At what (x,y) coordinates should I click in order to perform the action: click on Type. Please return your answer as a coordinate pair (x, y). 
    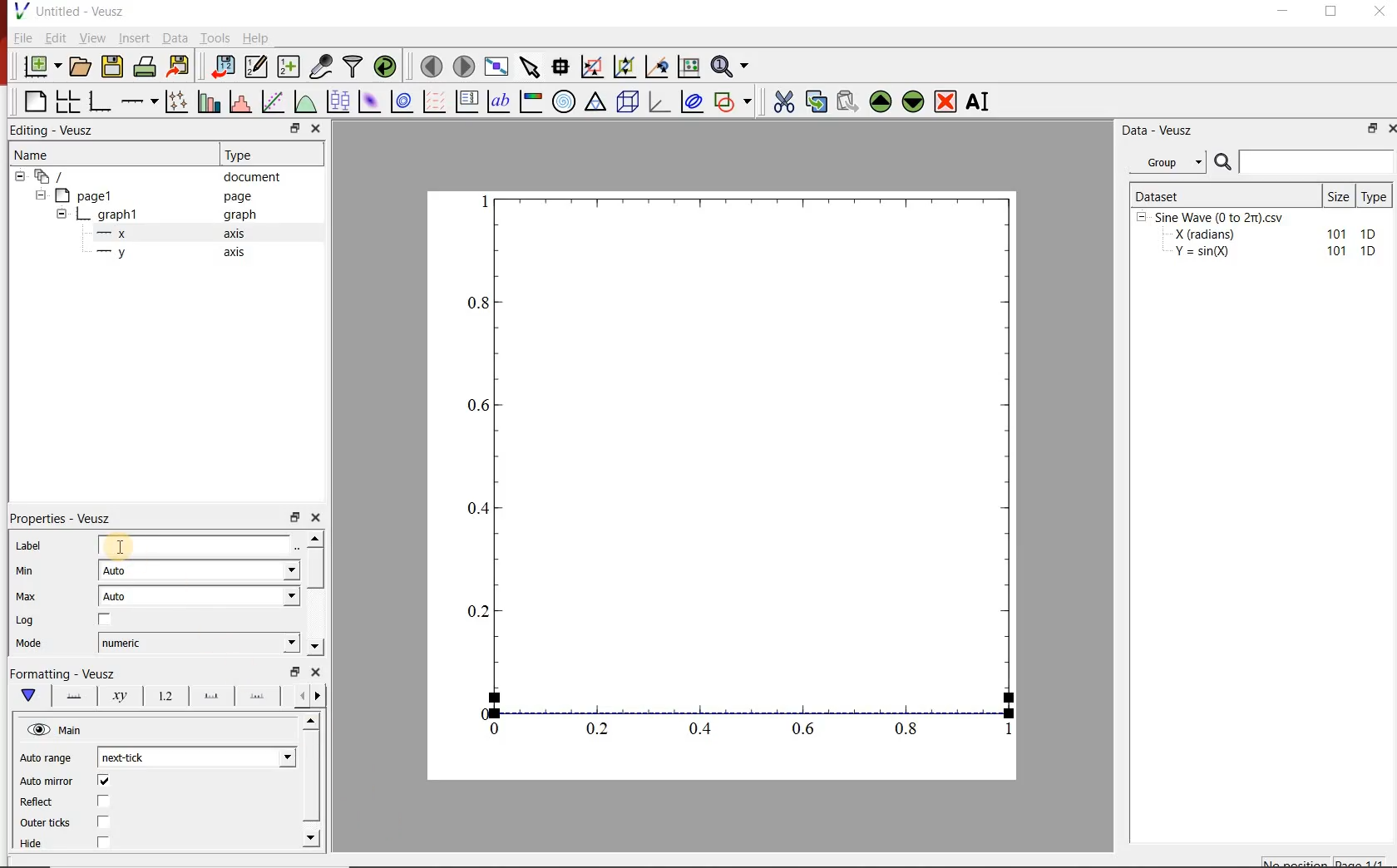
    Looking at the image, I should click on (1377, 195).